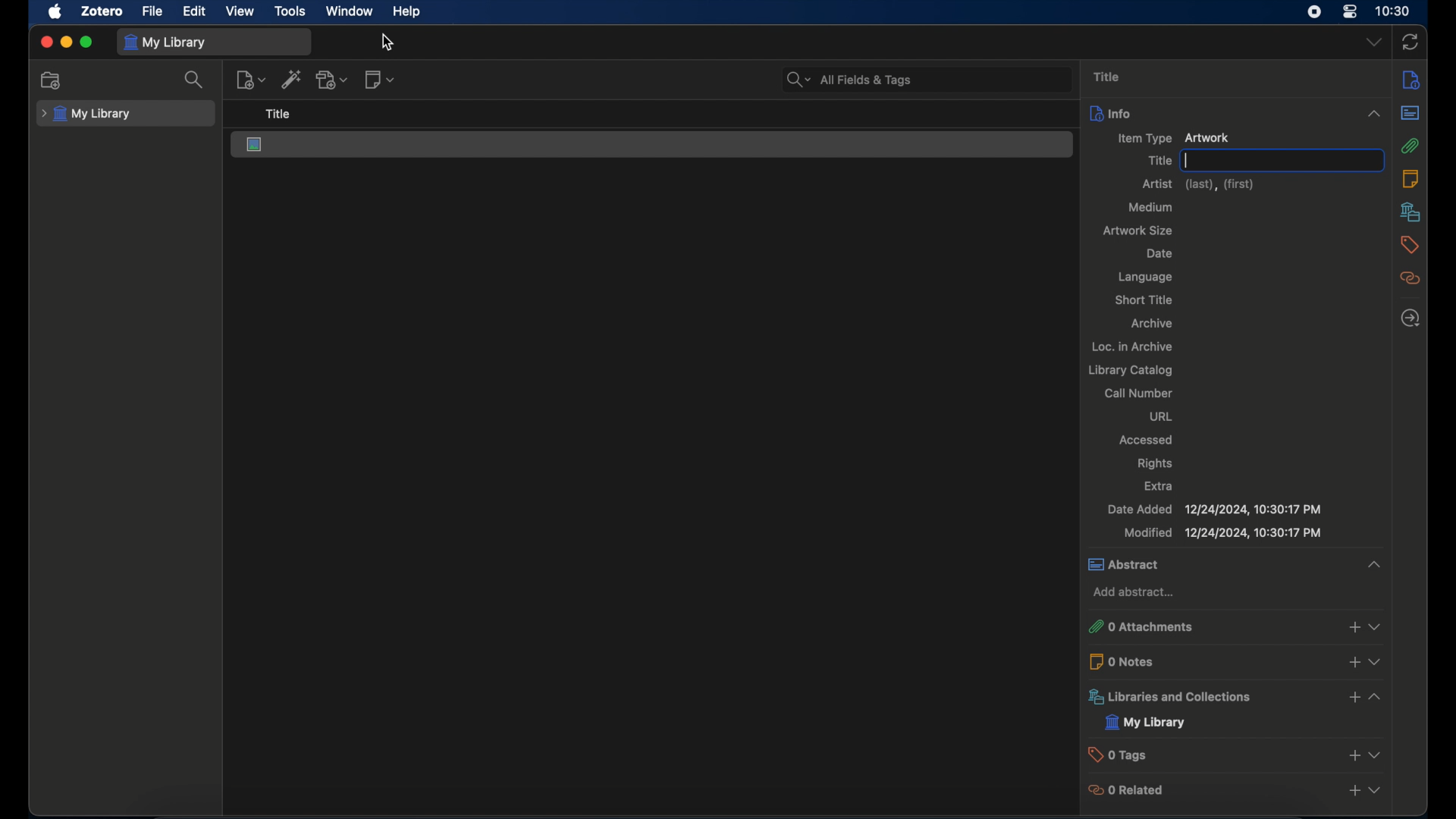 This screenshot has height=819, width=1456. Describe the element at coordinates (1138, 394) in the screenshot. I see `call number` at that location.